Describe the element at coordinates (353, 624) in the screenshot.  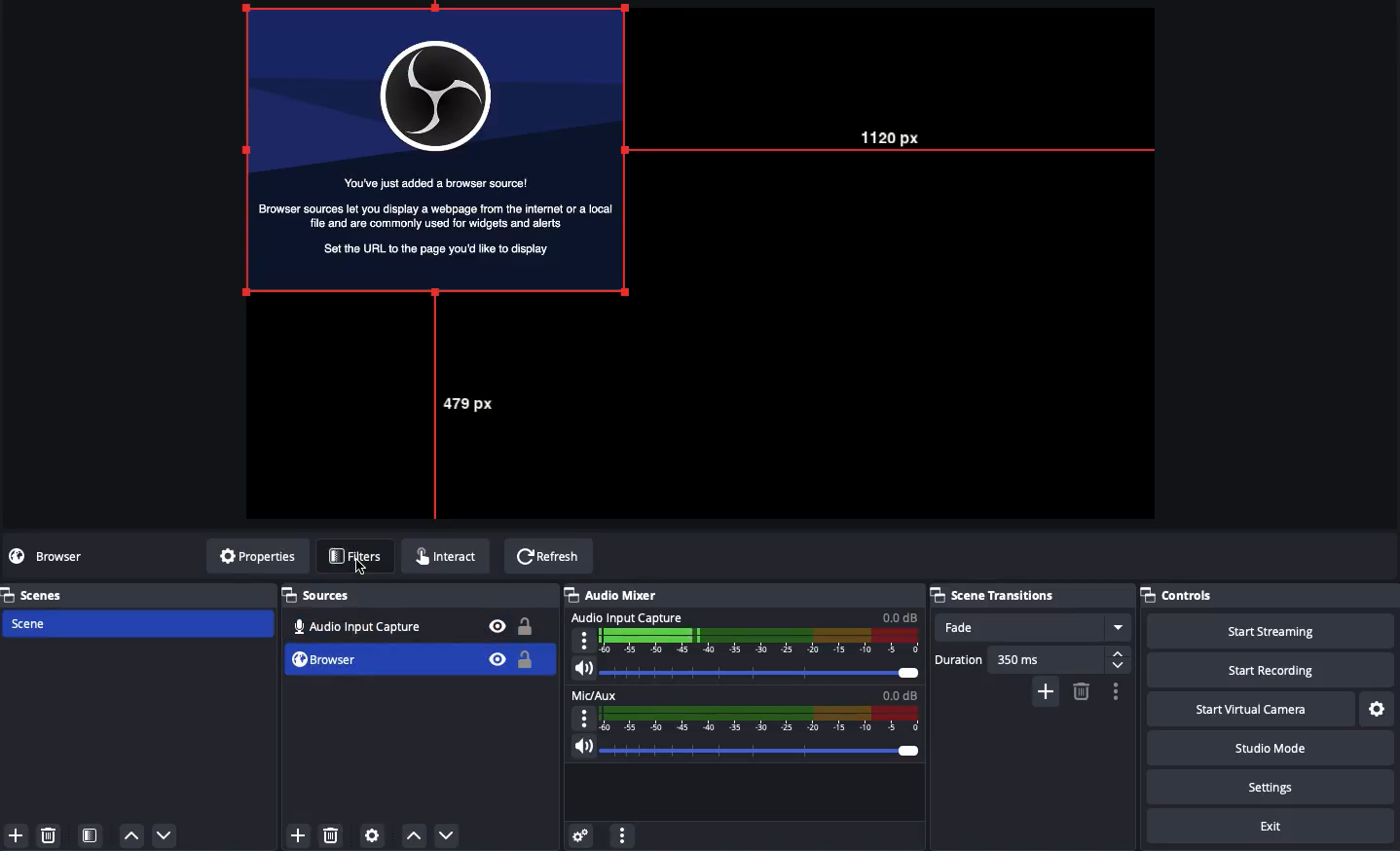
I see `Audio input capture` at that location.